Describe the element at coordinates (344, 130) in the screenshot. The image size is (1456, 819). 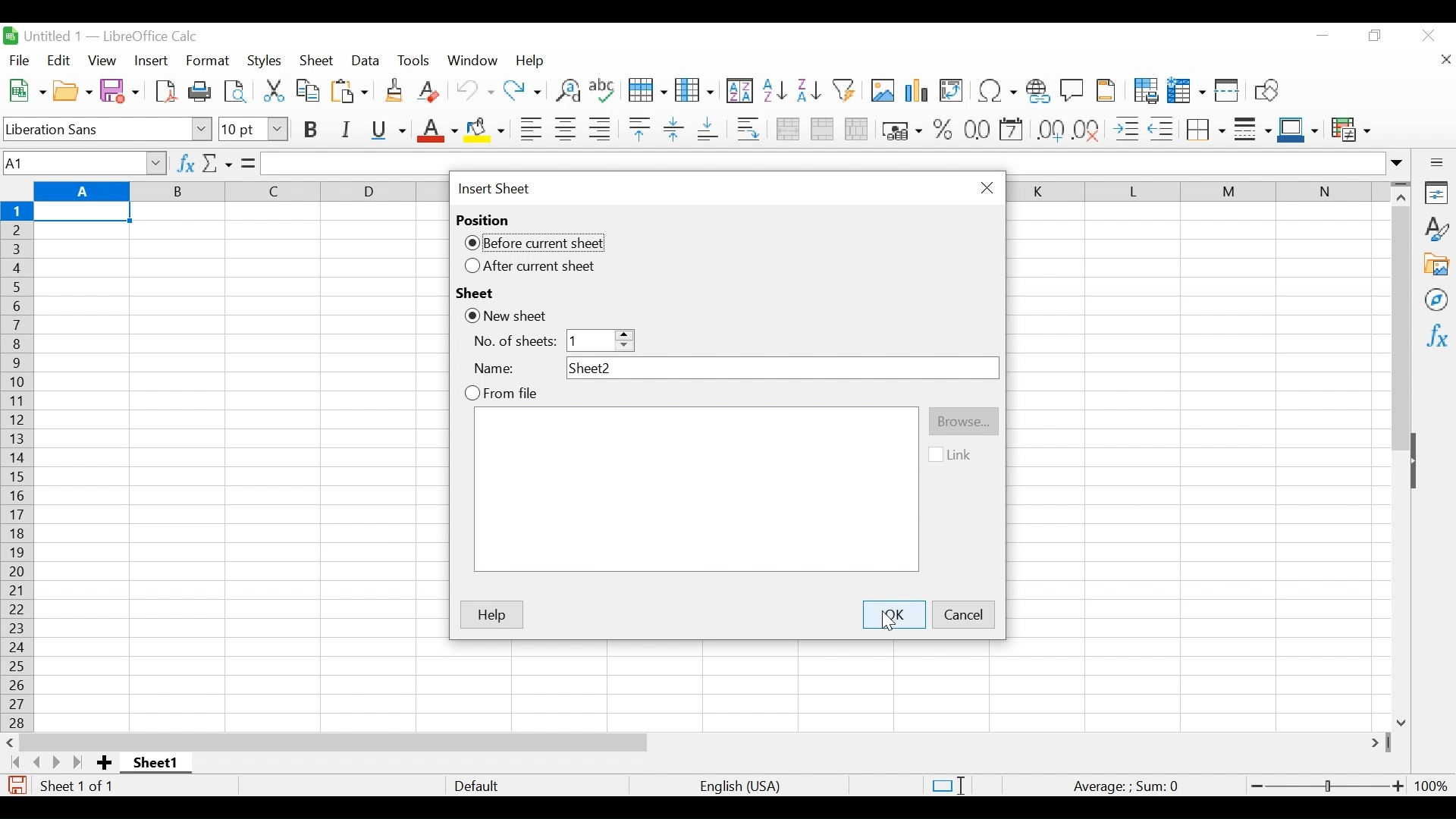
I see `Italics` at that location.